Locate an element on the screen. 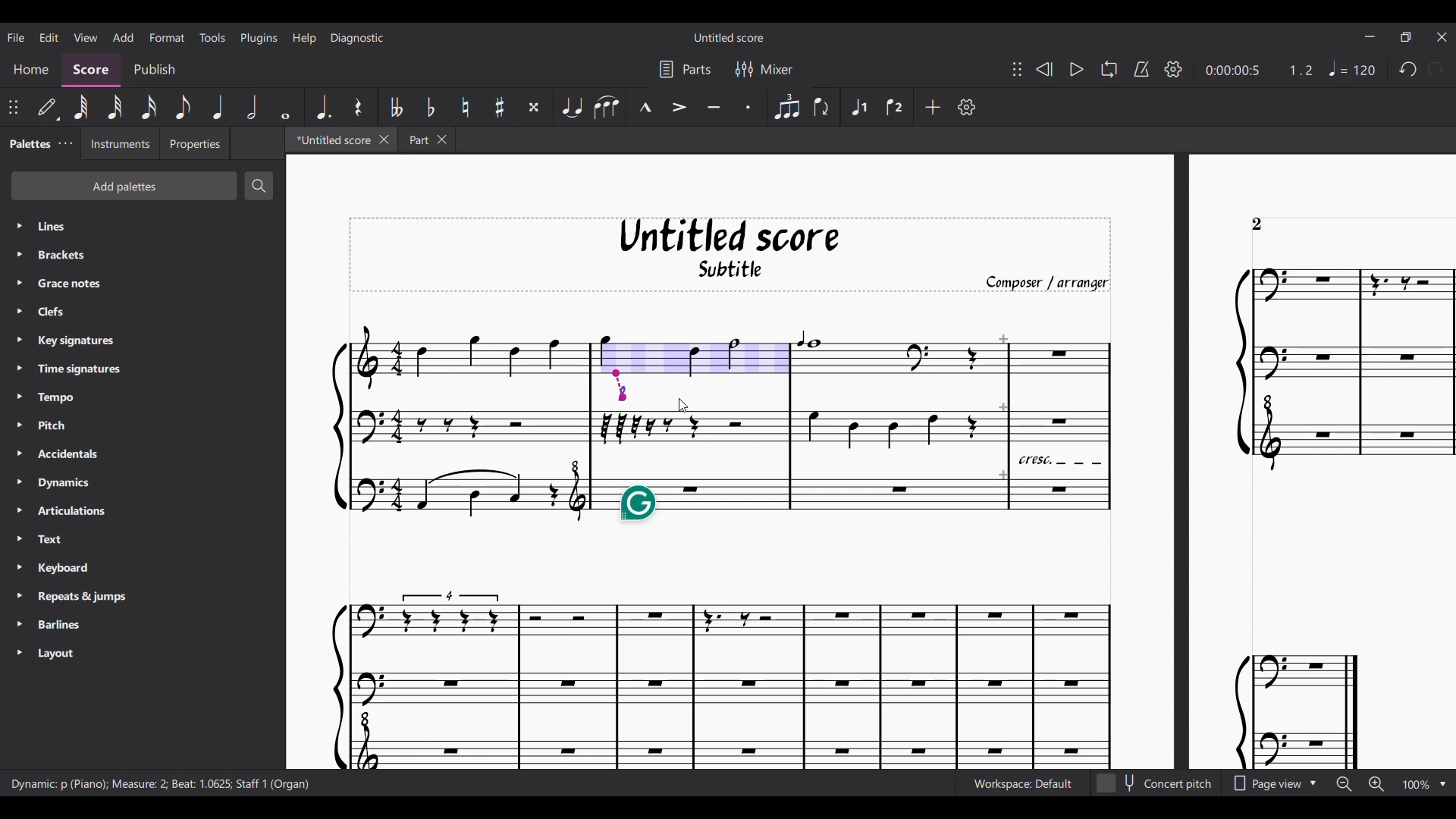 Image resolution: width=1456 pixels, height=819 pixels. Plugins menu is located at coordinates (259, 38).